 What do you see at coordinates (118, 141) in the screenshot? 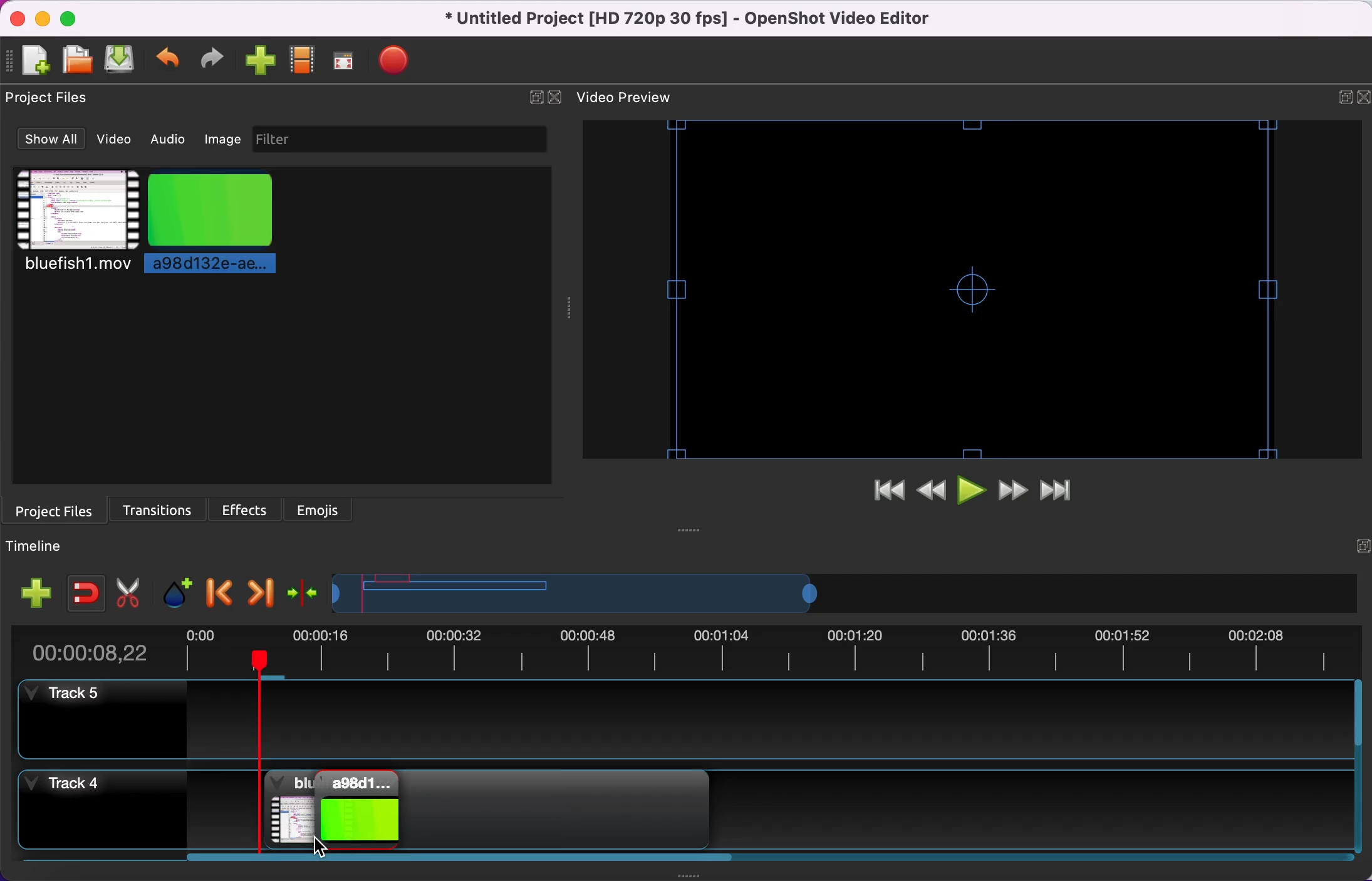
I see `video` at bounding box center [118, 141].